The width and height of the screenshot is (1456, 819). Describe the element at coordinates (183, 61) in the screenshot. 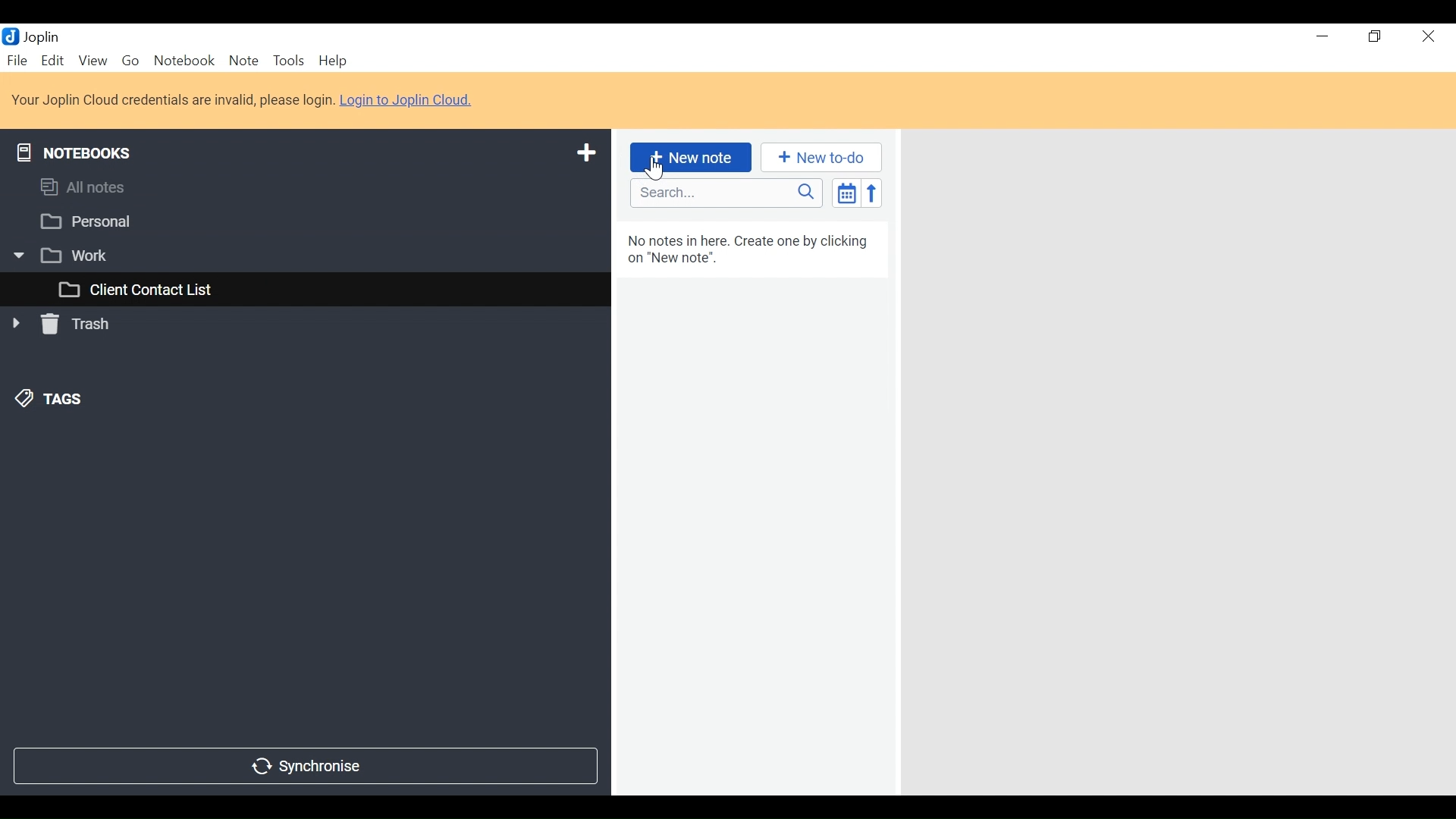

I see `Notebook` at that location.